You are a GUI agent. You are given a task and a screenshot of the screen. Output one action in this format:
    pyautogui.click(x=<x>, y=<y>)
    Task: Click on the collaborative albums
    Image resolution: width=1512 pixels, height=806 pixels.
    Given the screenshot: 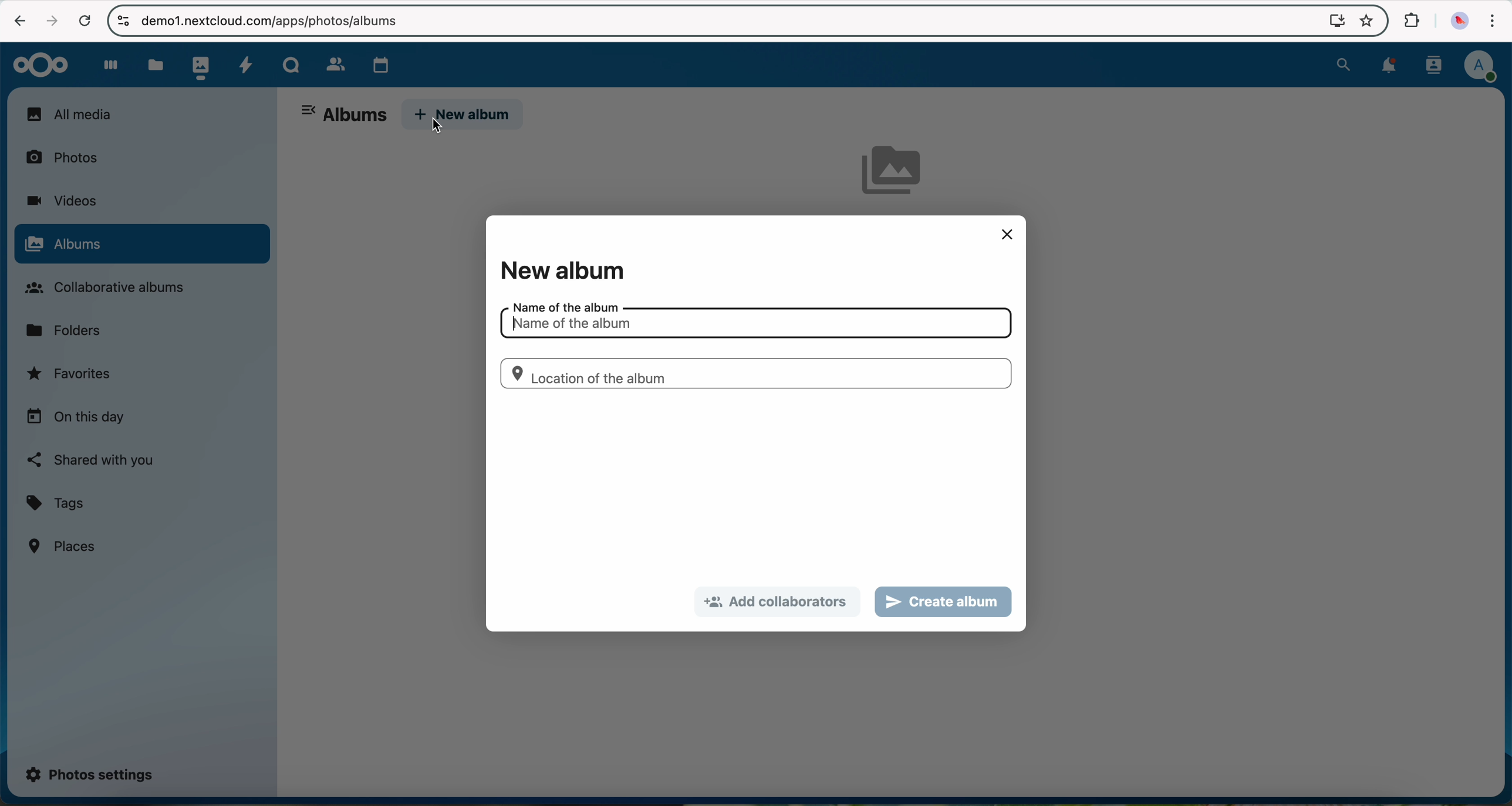 What is the action you would take?
    pyautogui.click(x=112, y=288)
    